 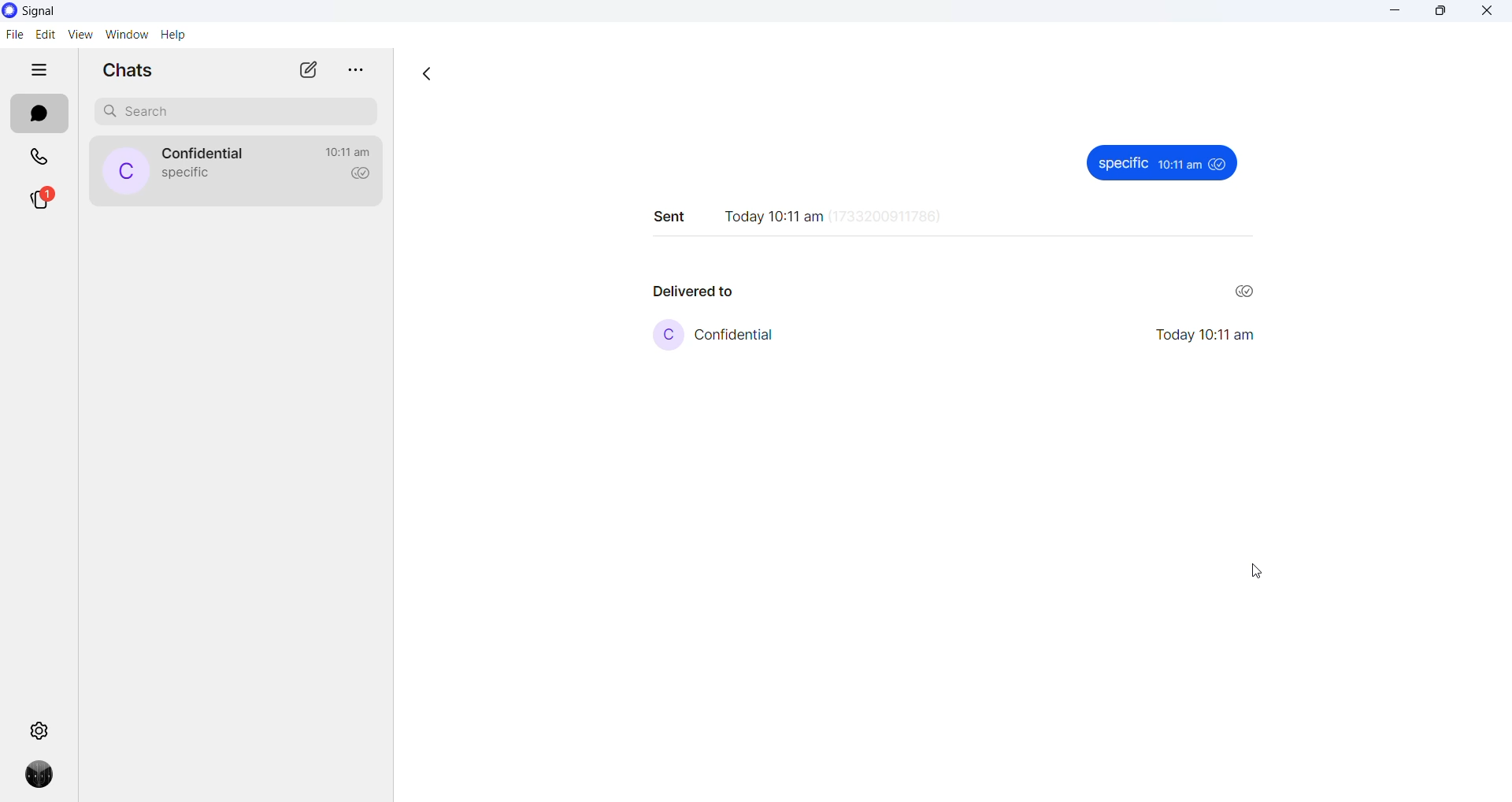 I want to click on 10:11am, so click(x=1182, y=164).